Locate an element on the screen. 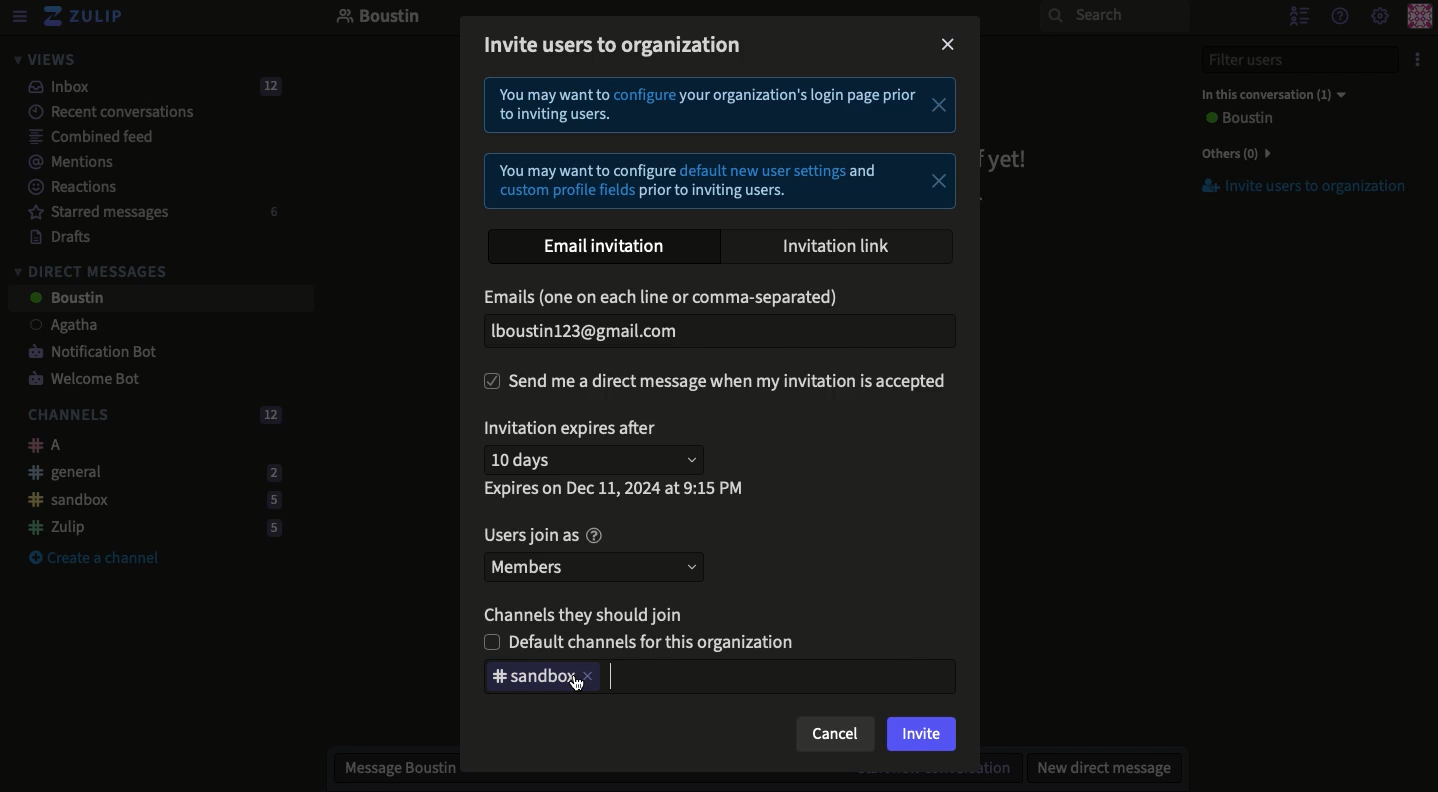  Inbox is located at coordinates (146, 87).